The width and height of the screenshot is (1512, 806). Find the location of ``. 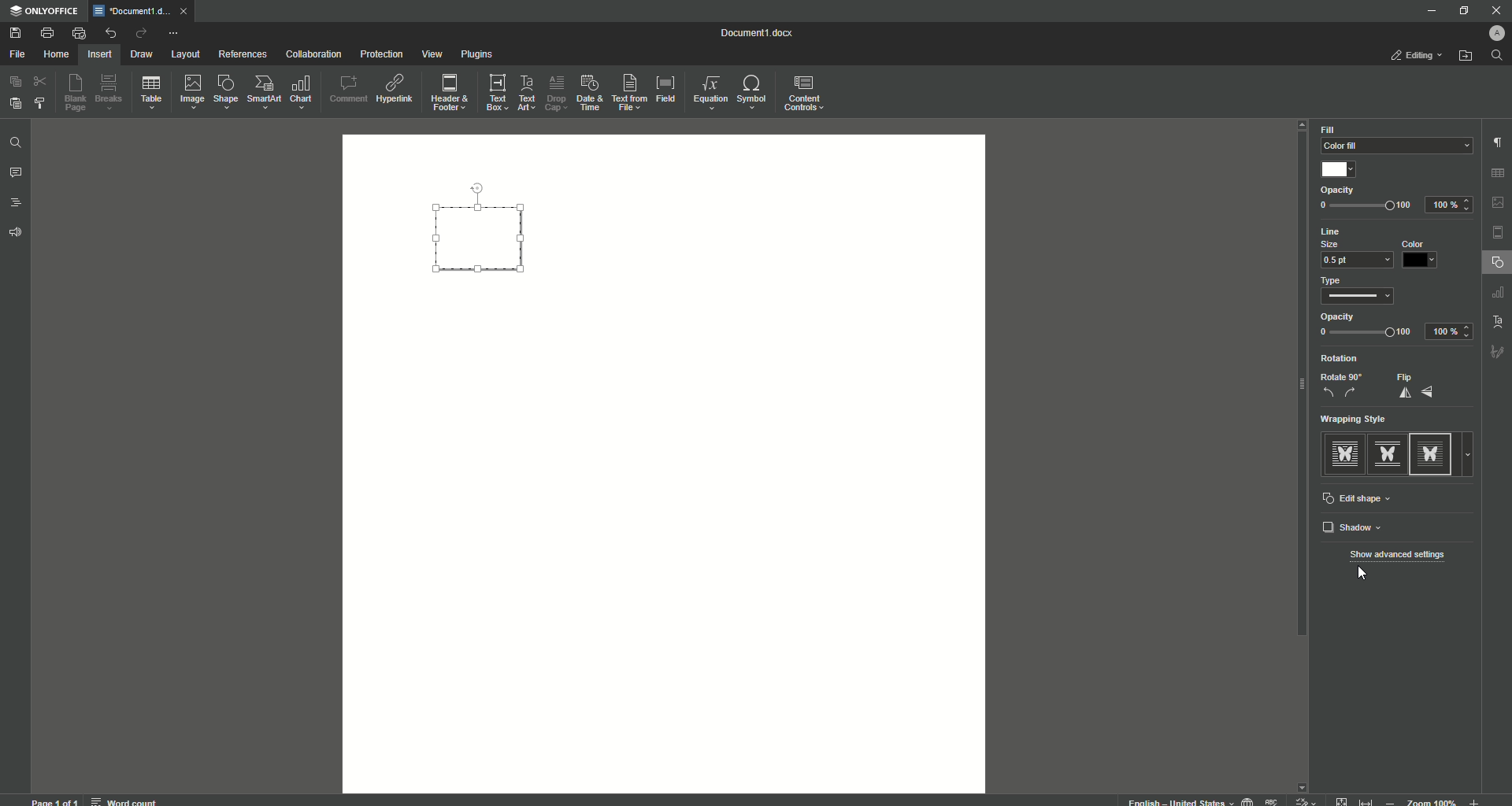

 is located at coordinates (381, 56).